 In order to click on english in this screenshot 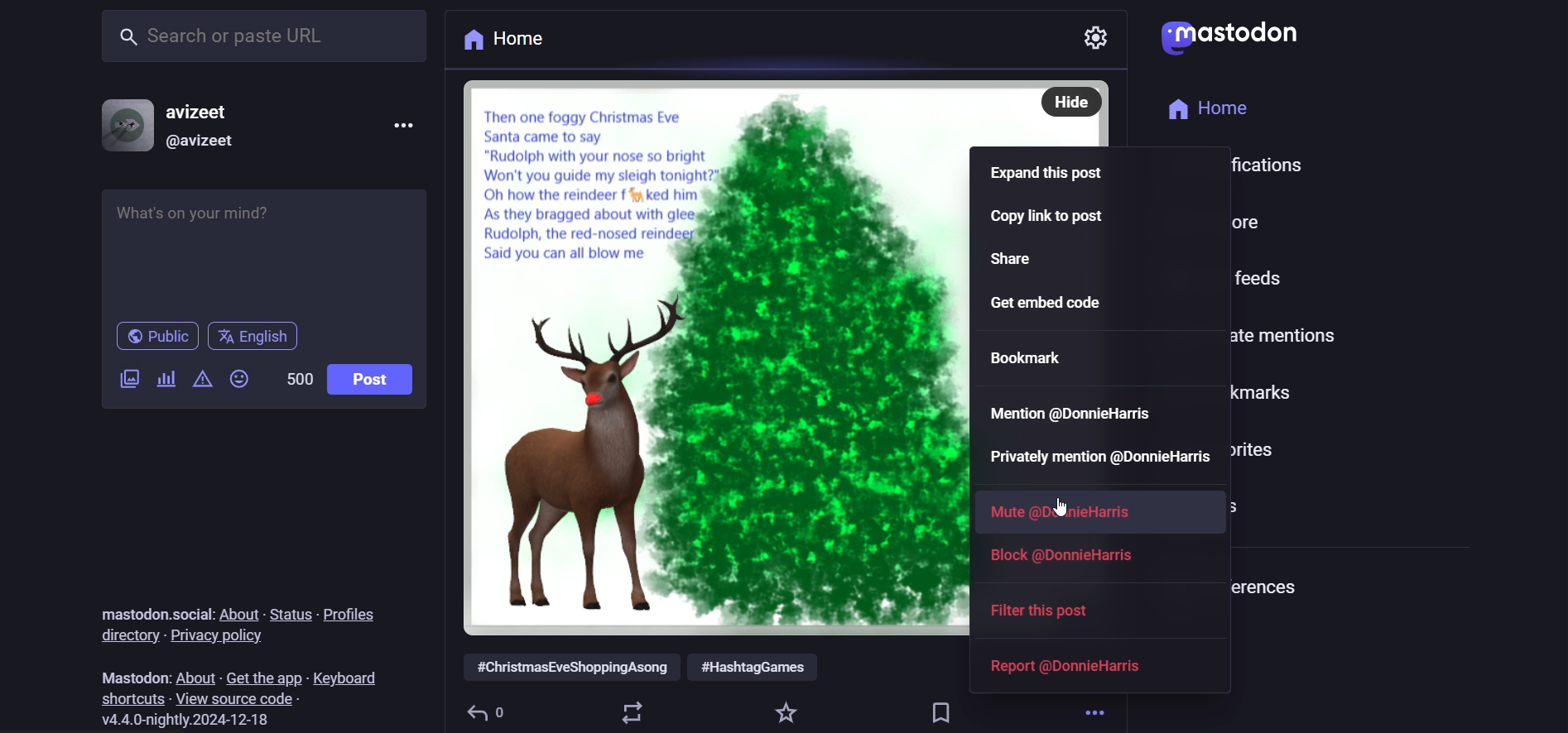, I will do `click(254, 338)`.